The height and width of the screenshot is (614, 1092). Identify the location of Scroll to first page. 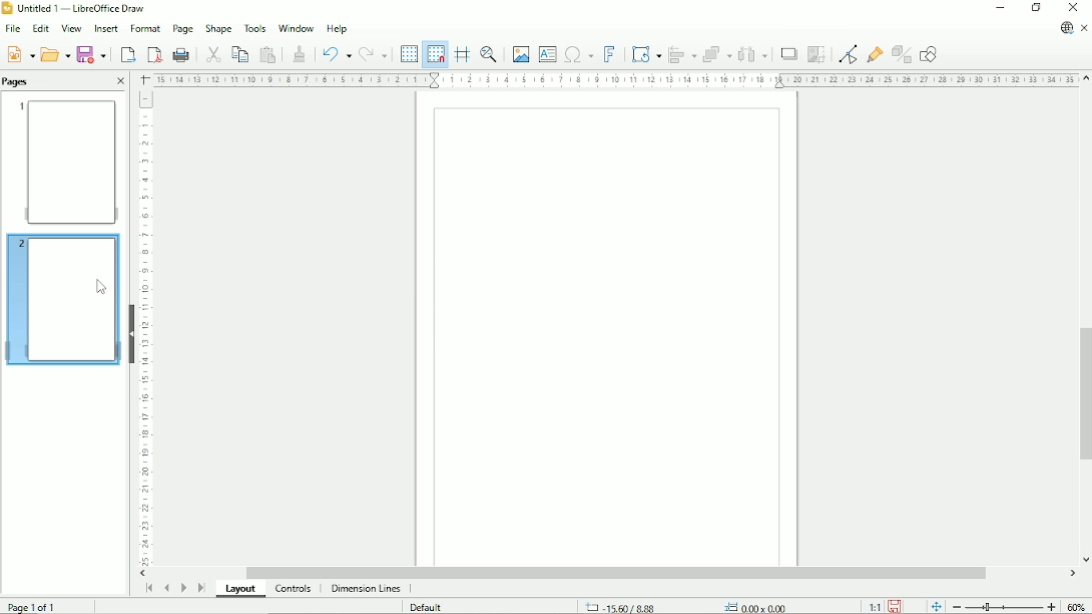
(148, 588).